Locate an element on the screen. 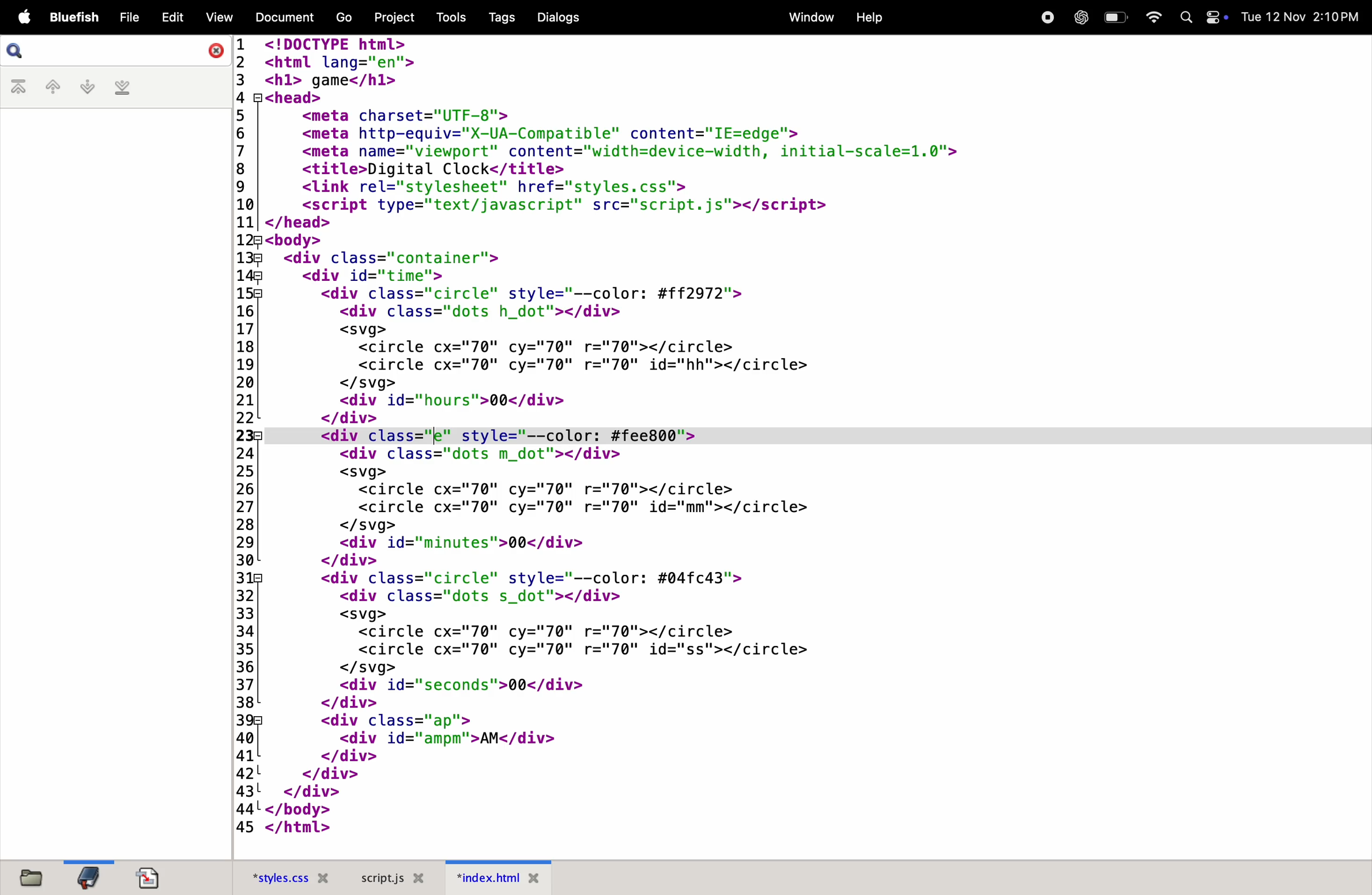 The image size is (1372, 895). close is located at coordinates (211, 49).